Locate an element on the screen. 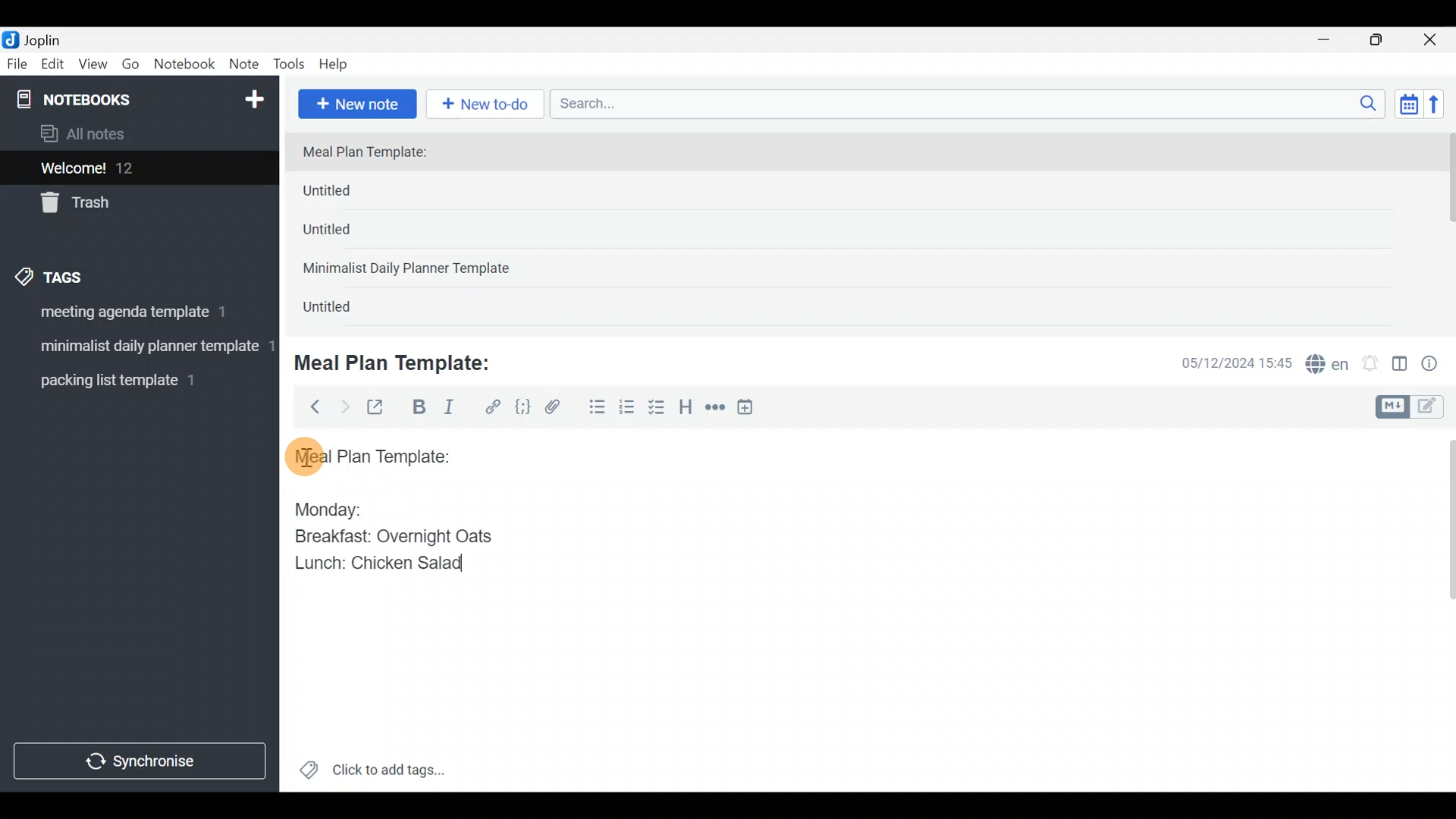  Tag 3 is located at coordinates (134, 380).